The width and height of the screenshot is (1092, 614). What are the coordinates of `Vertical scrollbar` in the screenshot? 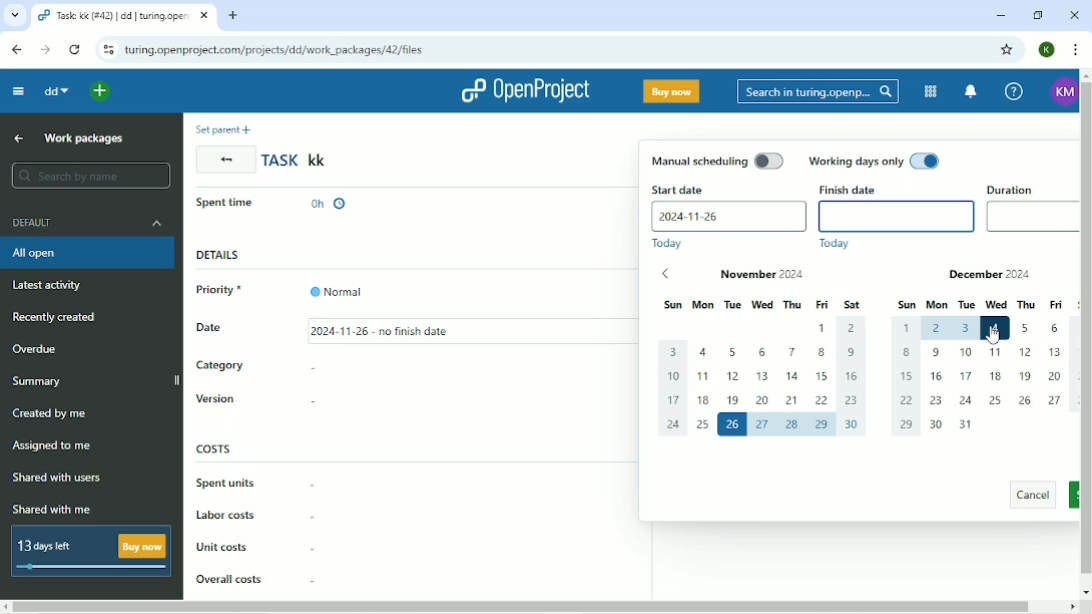 It's located at (1085, 332).